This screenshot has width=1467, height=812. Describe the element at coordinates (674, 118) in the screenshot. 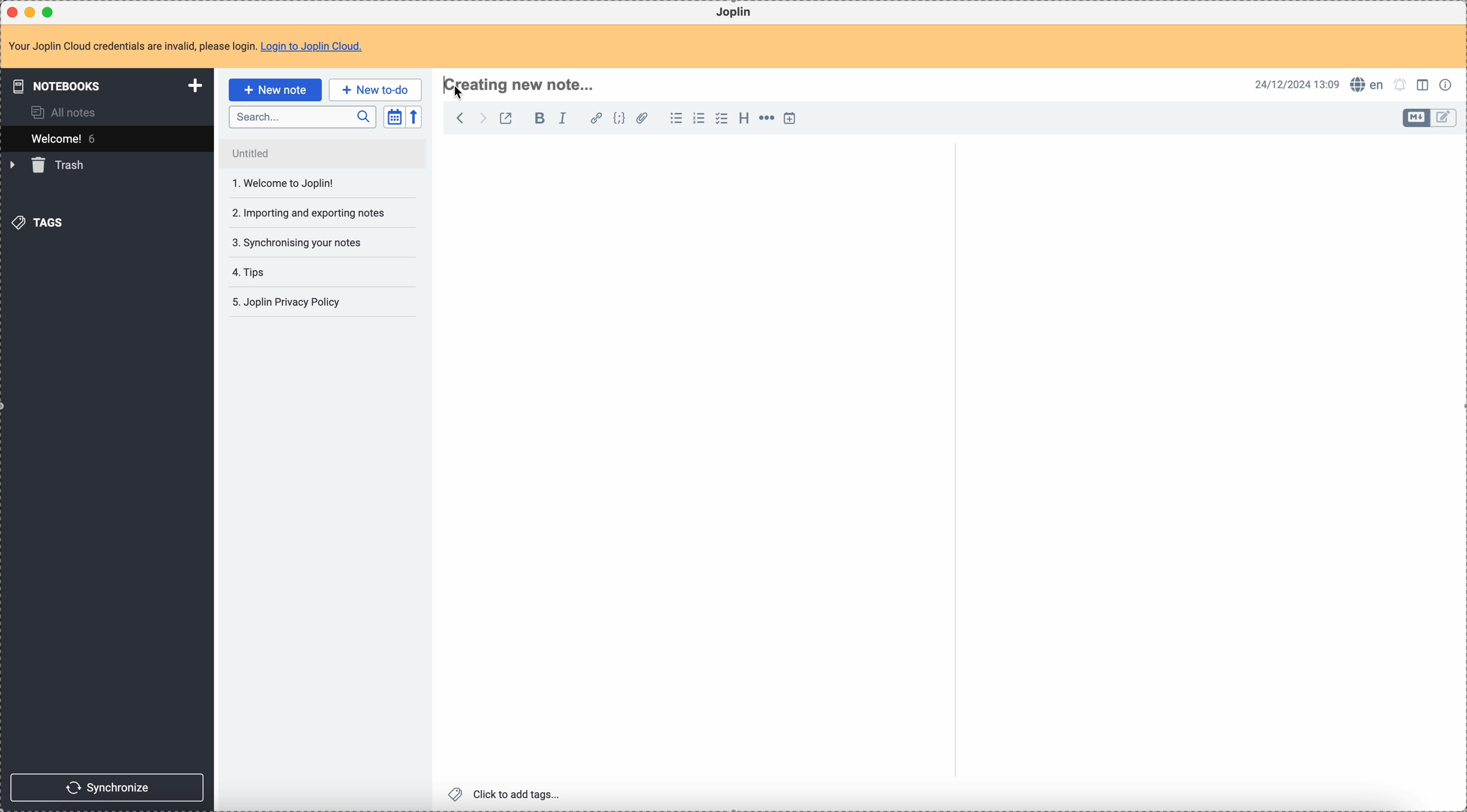

I see `bulleted list` at that location.